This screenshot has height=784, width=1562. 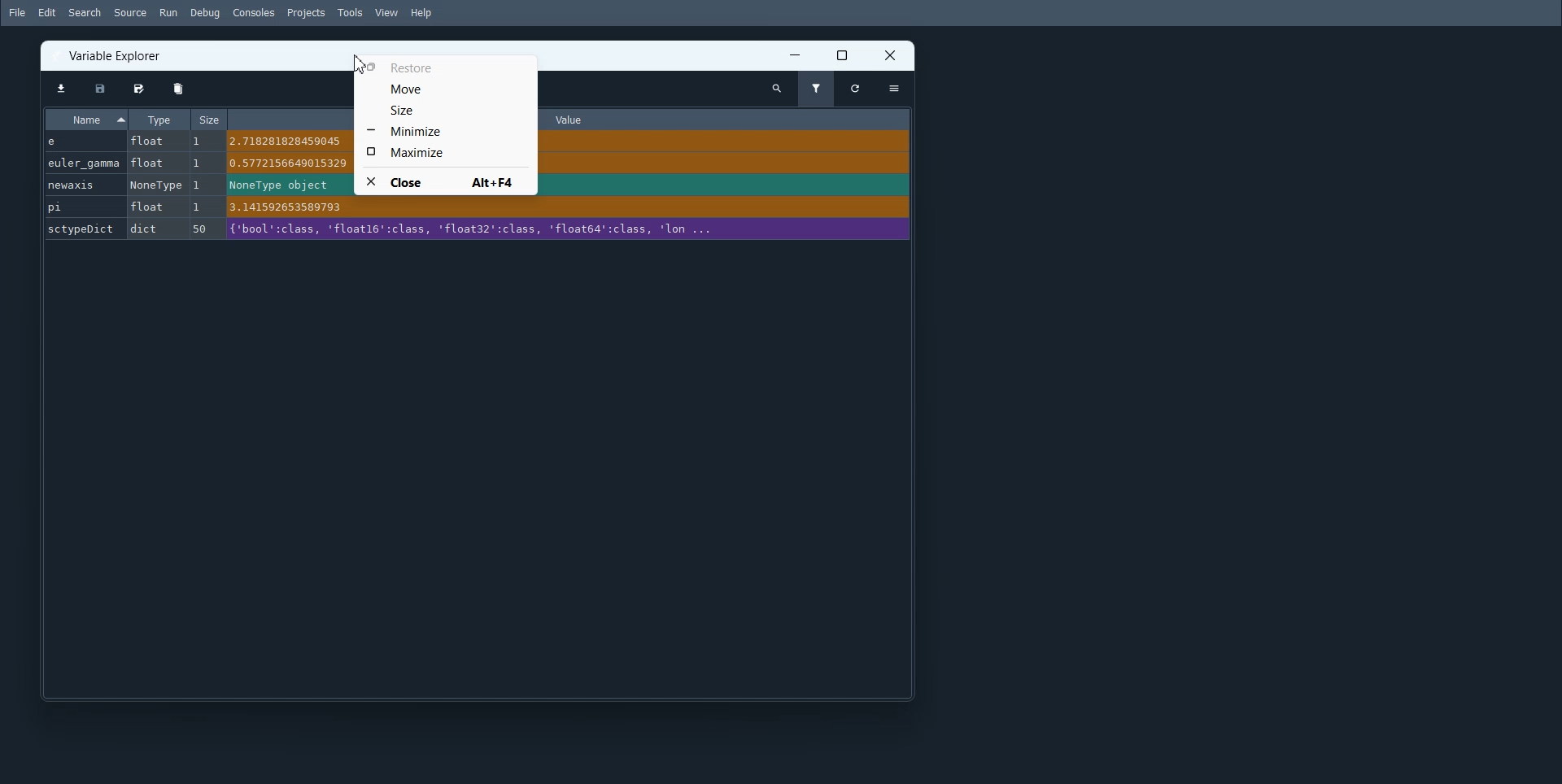 I want to click on Minimize, so click(x=445, y=130).